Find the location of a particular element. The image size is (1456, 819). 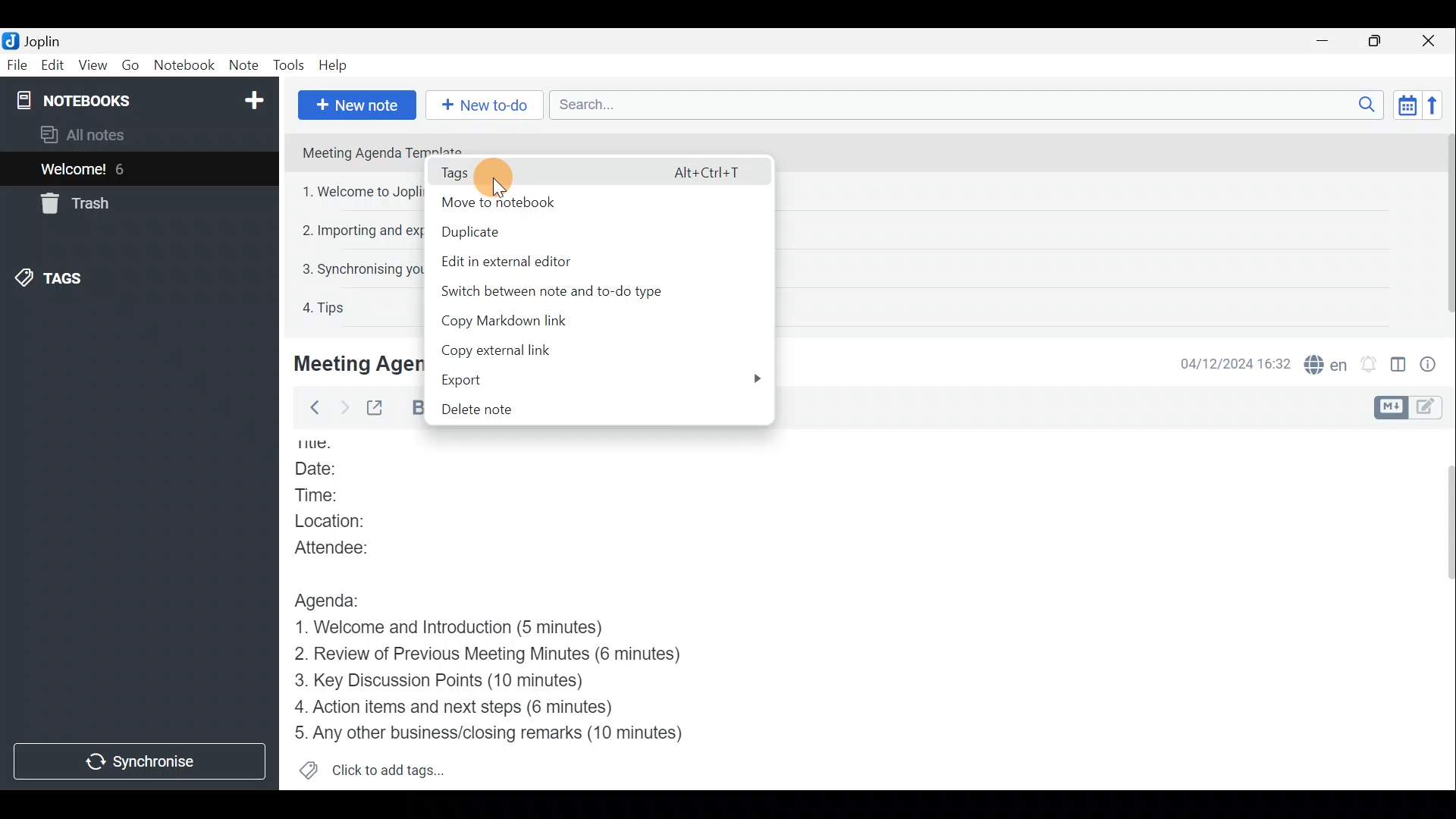

1. Welcome and Introduction (5 minutes) is located at coordinates (474, 629).